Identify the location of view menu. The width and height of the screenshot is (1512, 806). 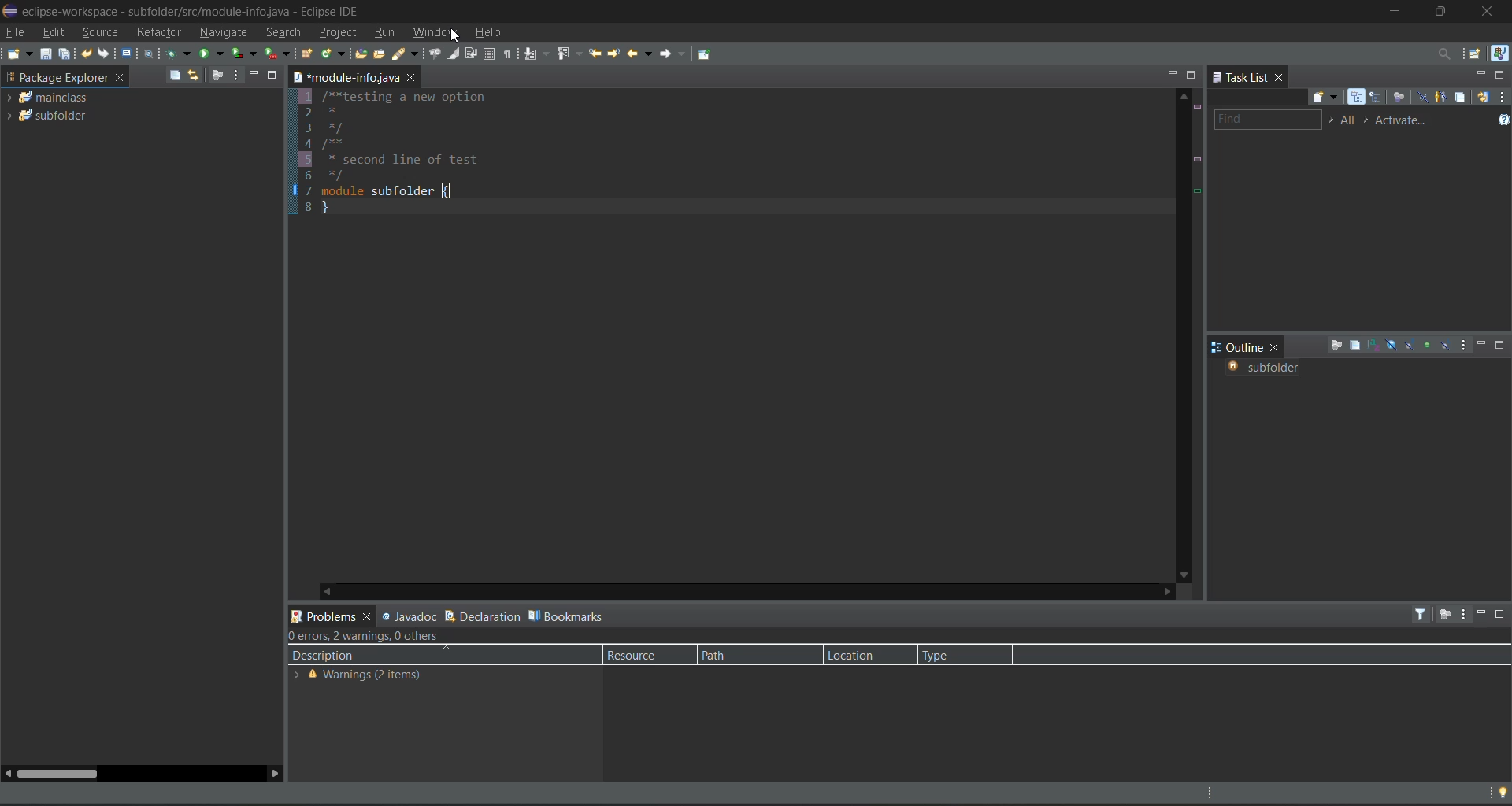
(1463, 613).